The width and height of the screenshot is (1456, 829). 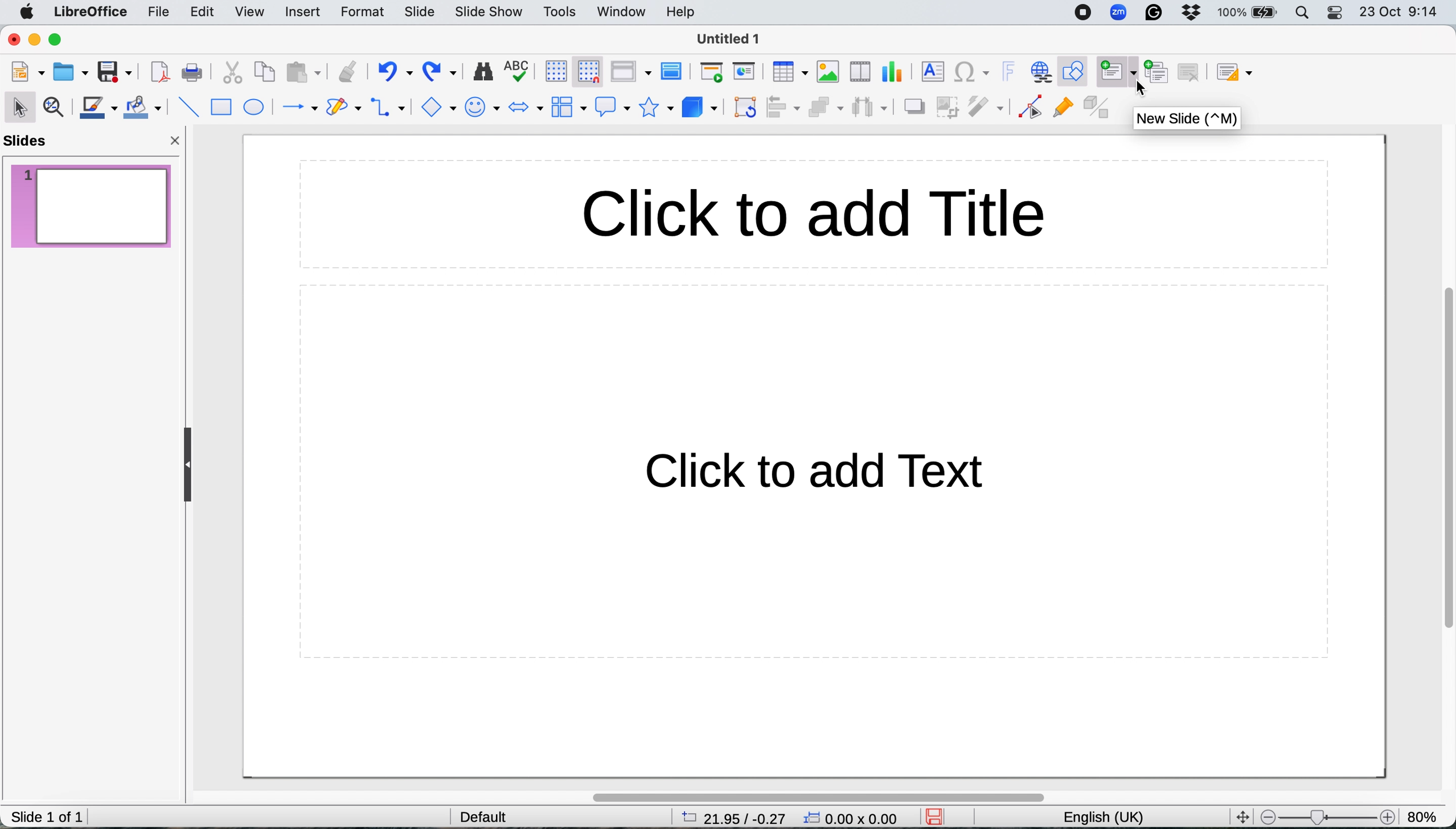 What do you see at coordinates (711, 72) in the screenshot?
I see `start from first slide` at bounding box center [711, 72].